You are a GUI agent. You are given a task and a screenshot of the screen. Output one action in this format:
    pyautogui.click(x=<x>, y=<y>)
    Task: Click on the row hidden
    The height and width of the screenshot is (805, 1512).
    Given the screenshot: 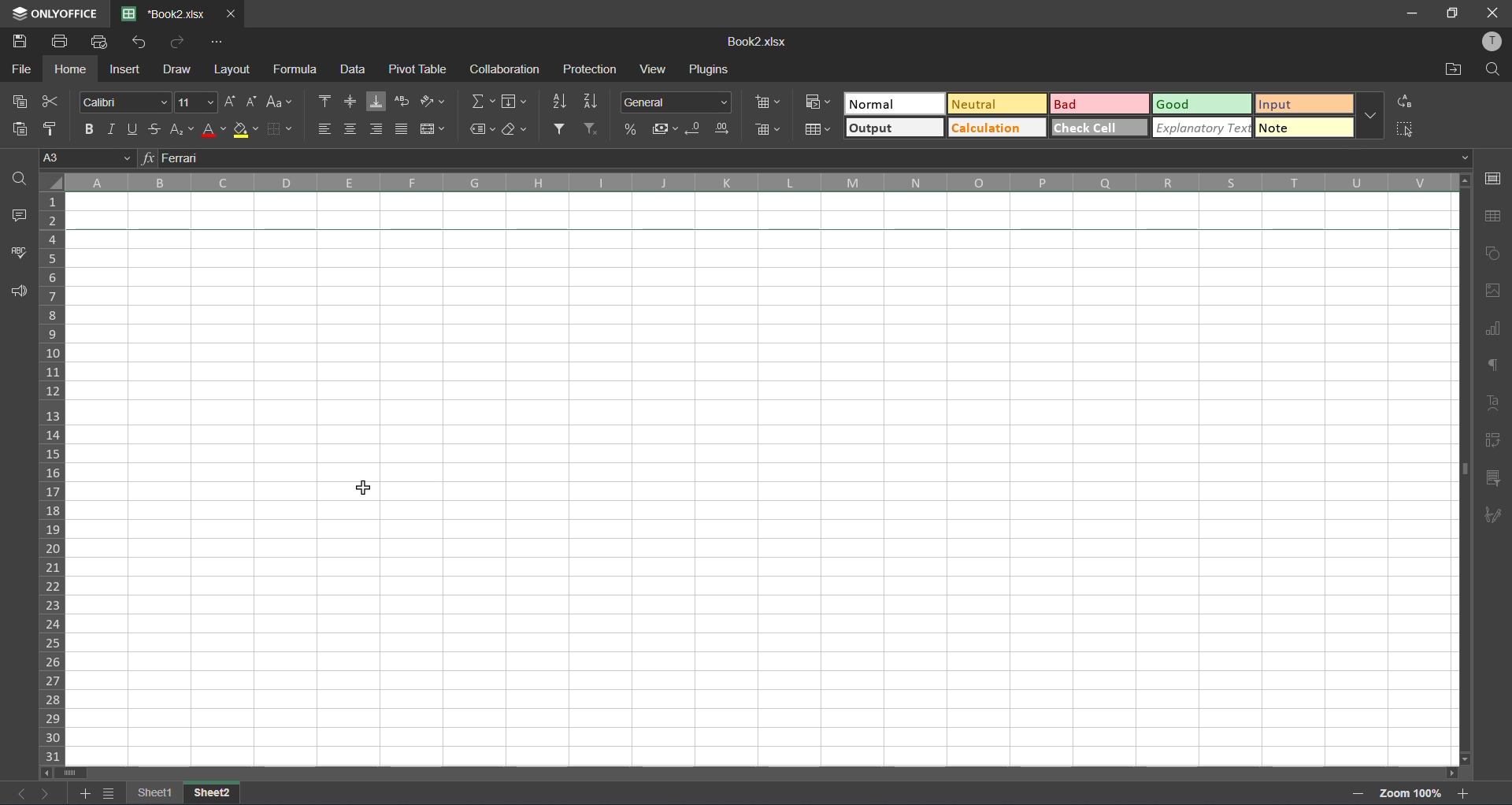 What is the action you would take?
    pyautogui.click(x=769, y=229)
    